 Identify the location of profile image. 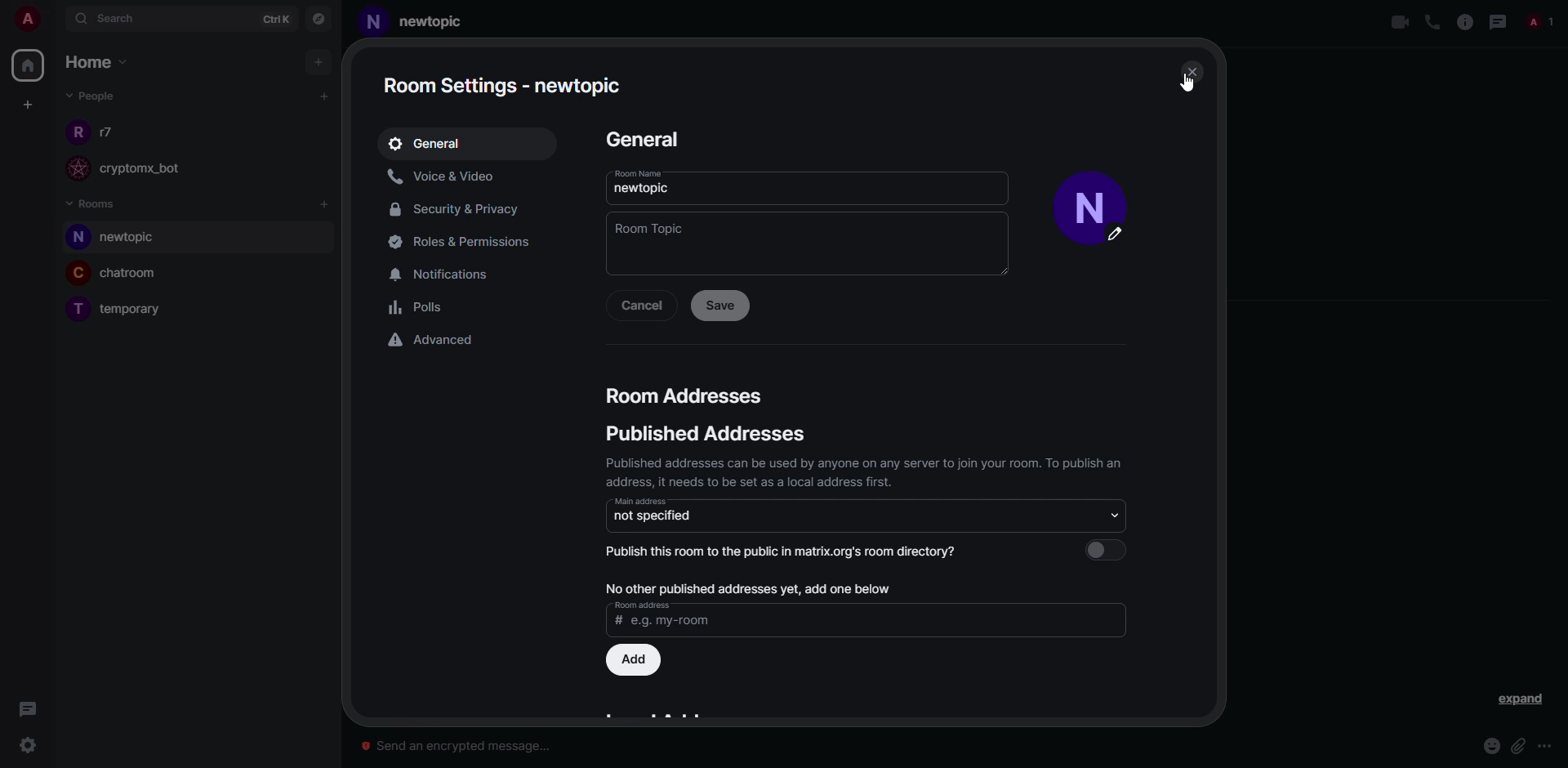
(78, 272).